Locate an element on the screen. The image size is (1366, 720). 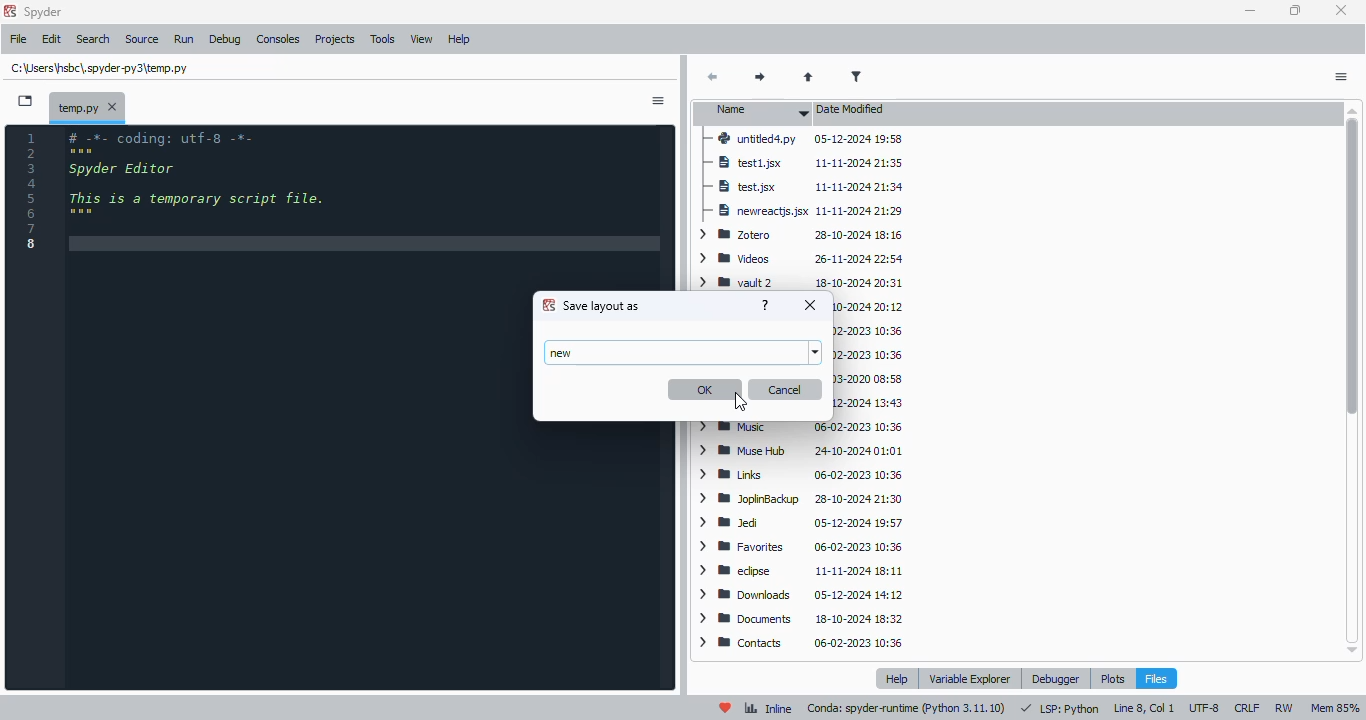
Zotero is located at coordinates (801, 234).